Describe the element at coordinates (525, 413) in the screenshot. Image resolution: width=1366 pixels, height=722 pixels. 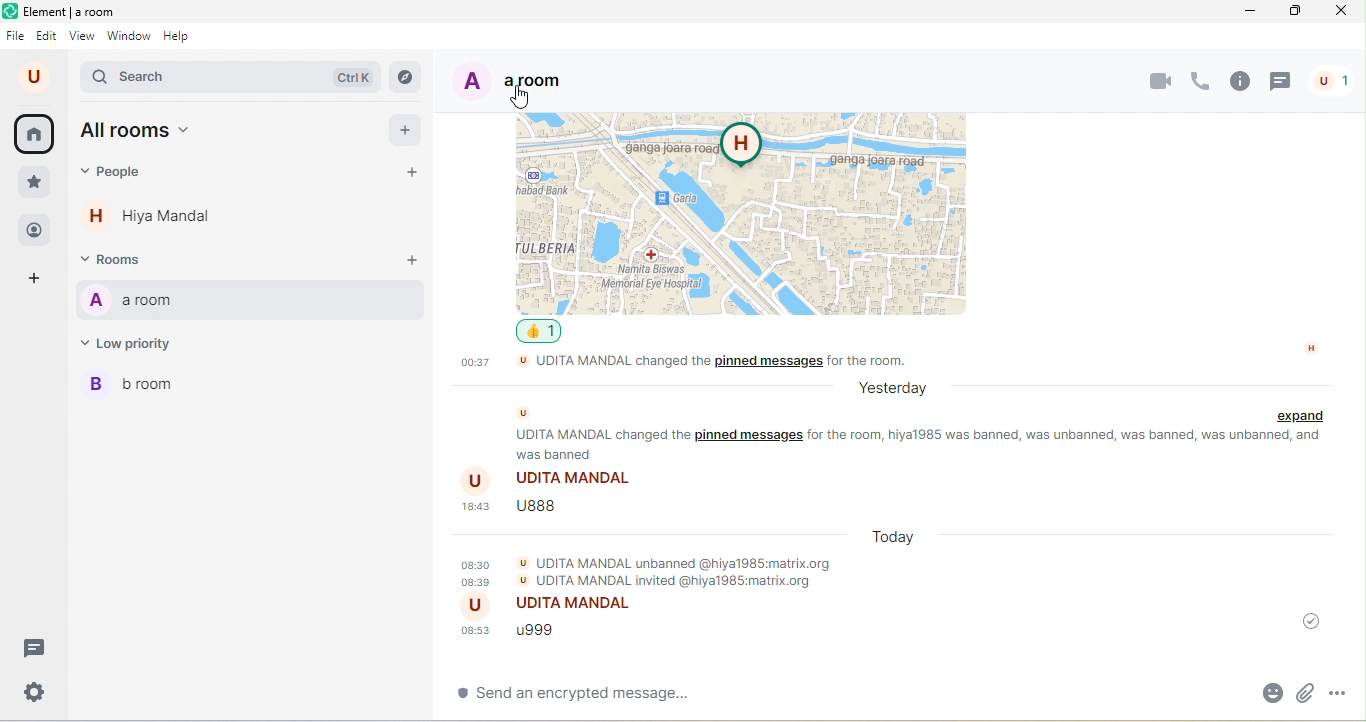
I see `u` at that location.